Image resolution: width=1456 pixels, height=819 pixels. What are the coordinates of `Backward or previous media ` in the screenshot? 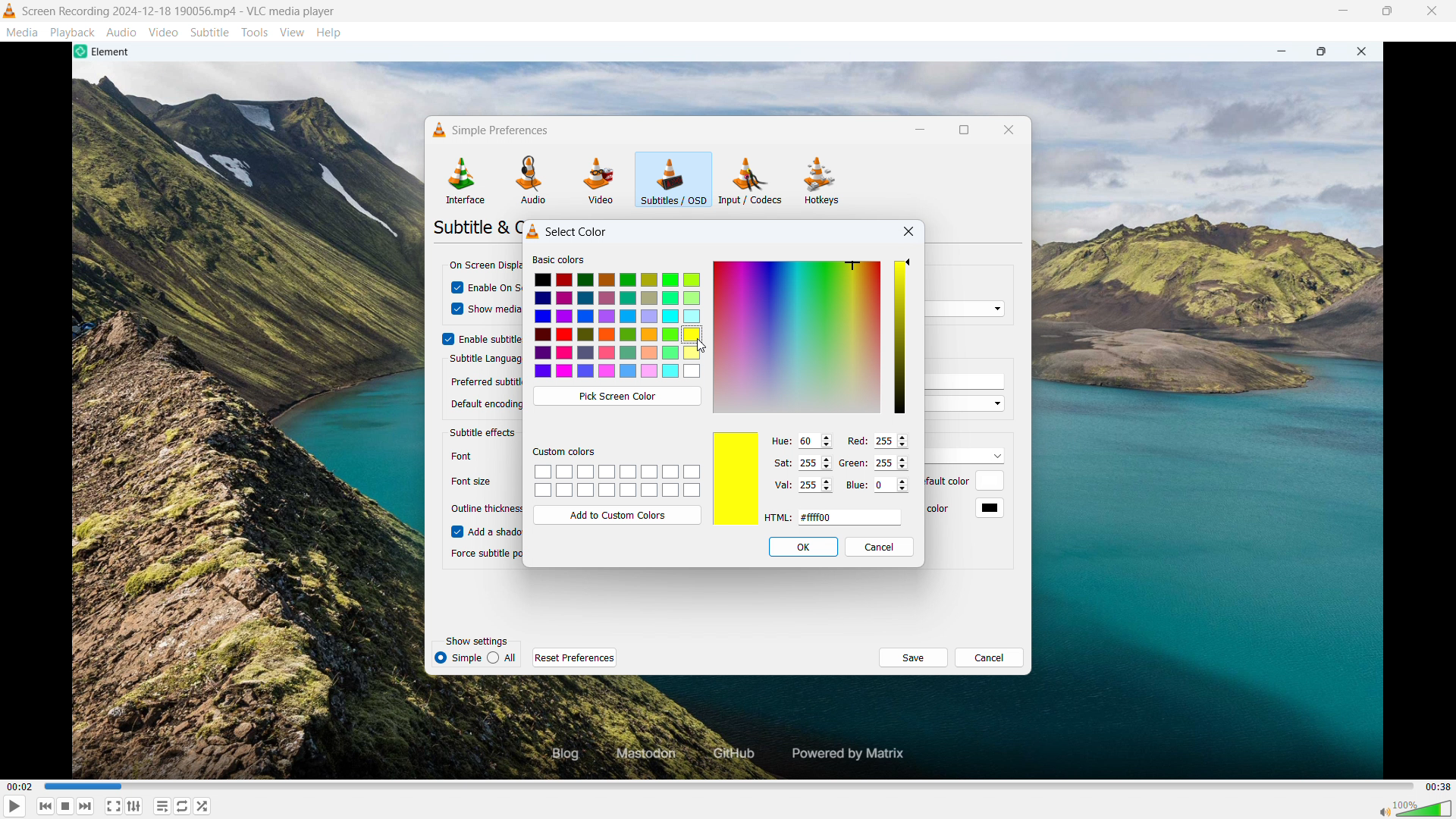 It's located at (86, 806).